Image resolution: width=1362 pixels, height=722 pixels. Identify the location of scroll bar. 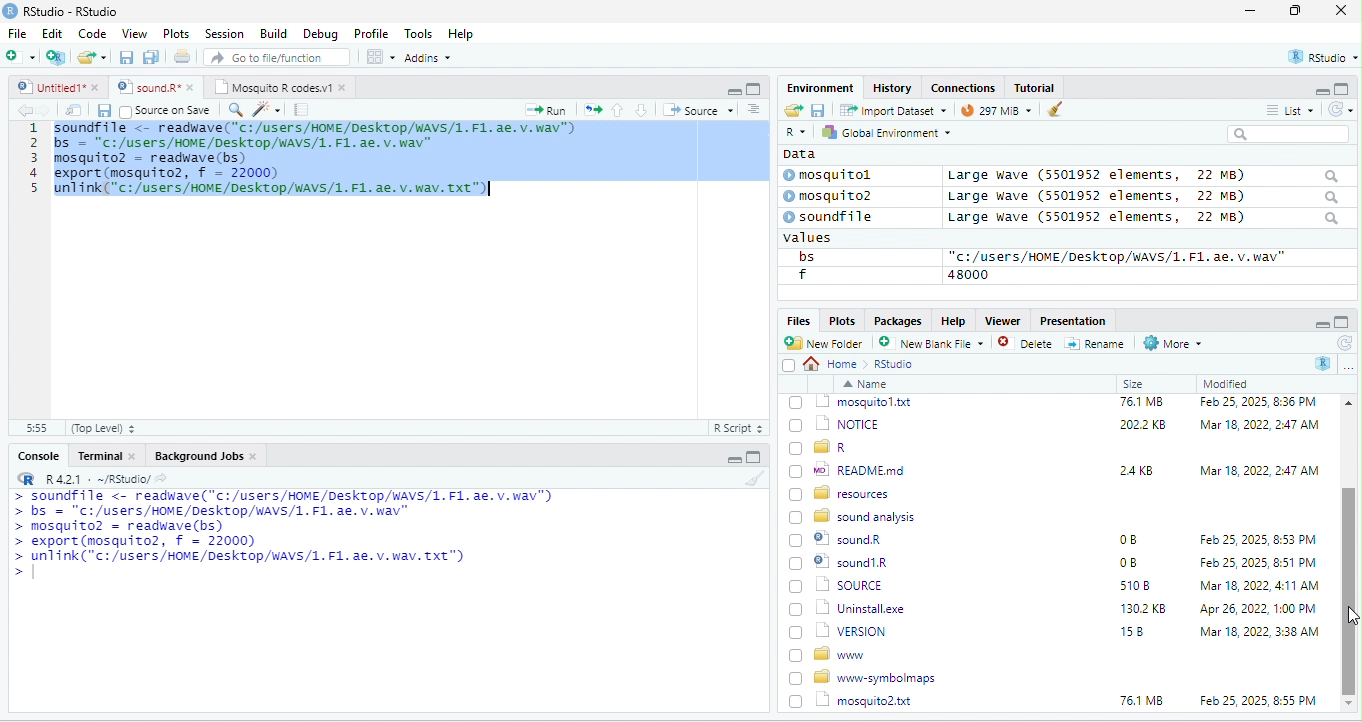
(1349, 554).